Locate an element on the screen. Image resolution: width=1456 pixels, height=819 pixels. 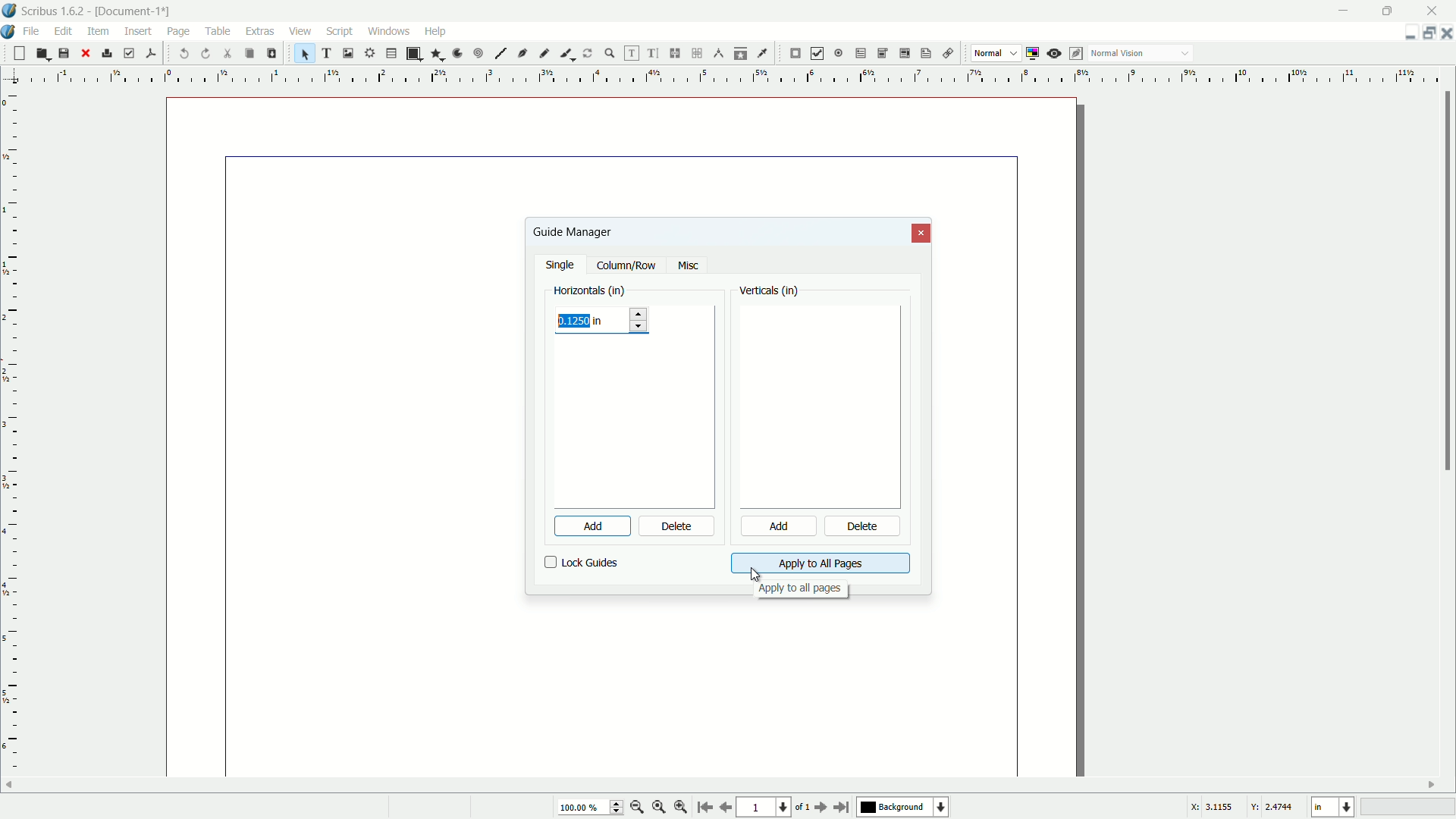
dropdown is located at coordinates (1185, 55).